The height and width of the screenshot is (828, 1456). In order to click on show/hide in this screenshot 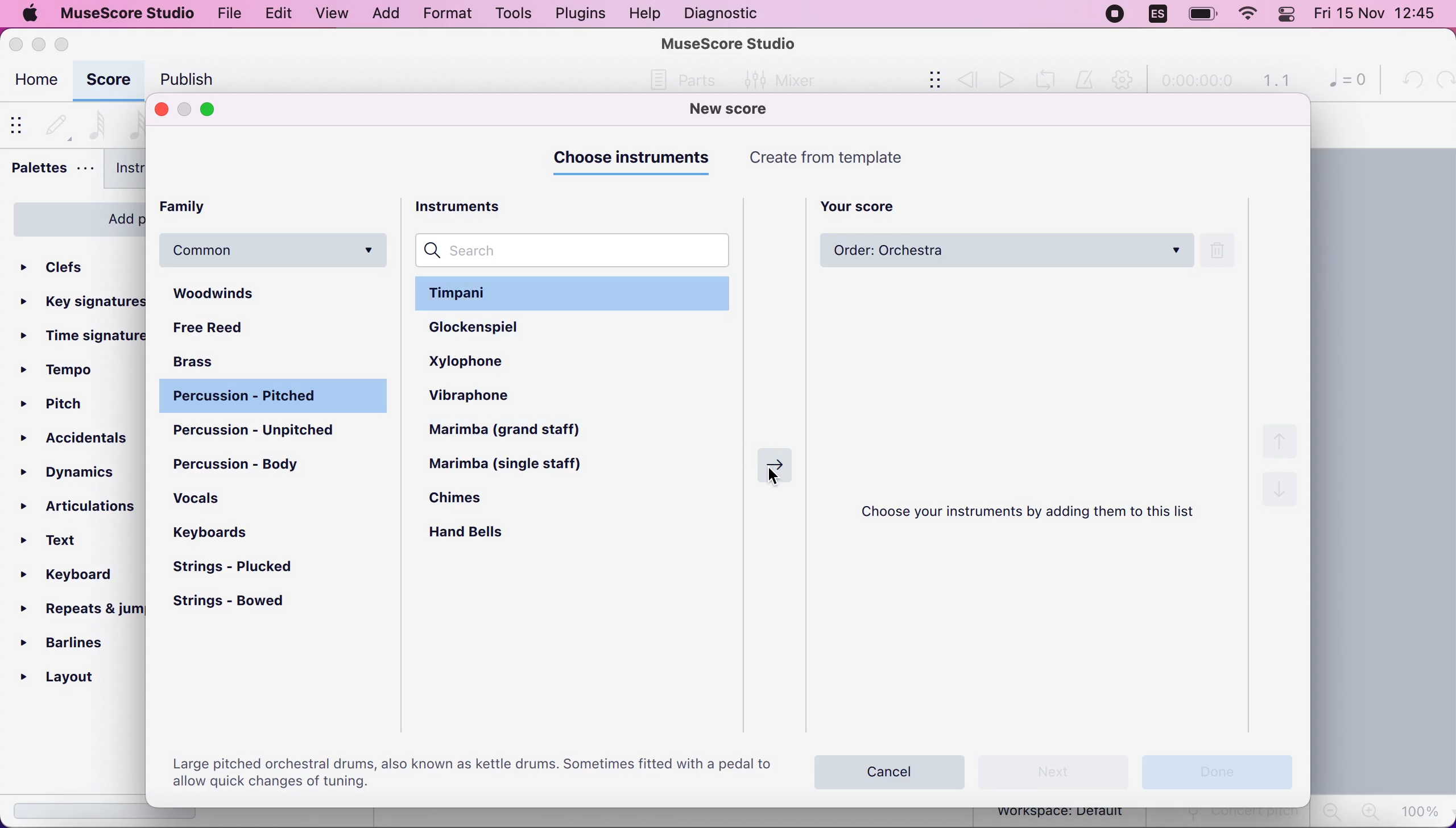, I will do `click(20, 124)`.